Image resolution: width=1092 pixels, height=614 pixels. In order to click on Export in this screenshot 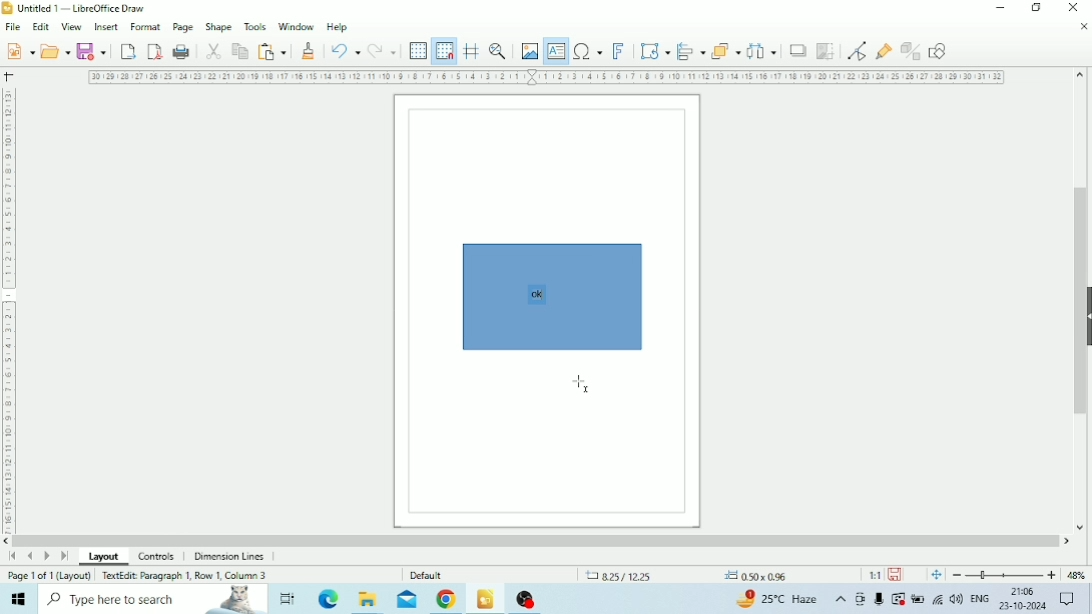, I will do `click(128, 52)`.